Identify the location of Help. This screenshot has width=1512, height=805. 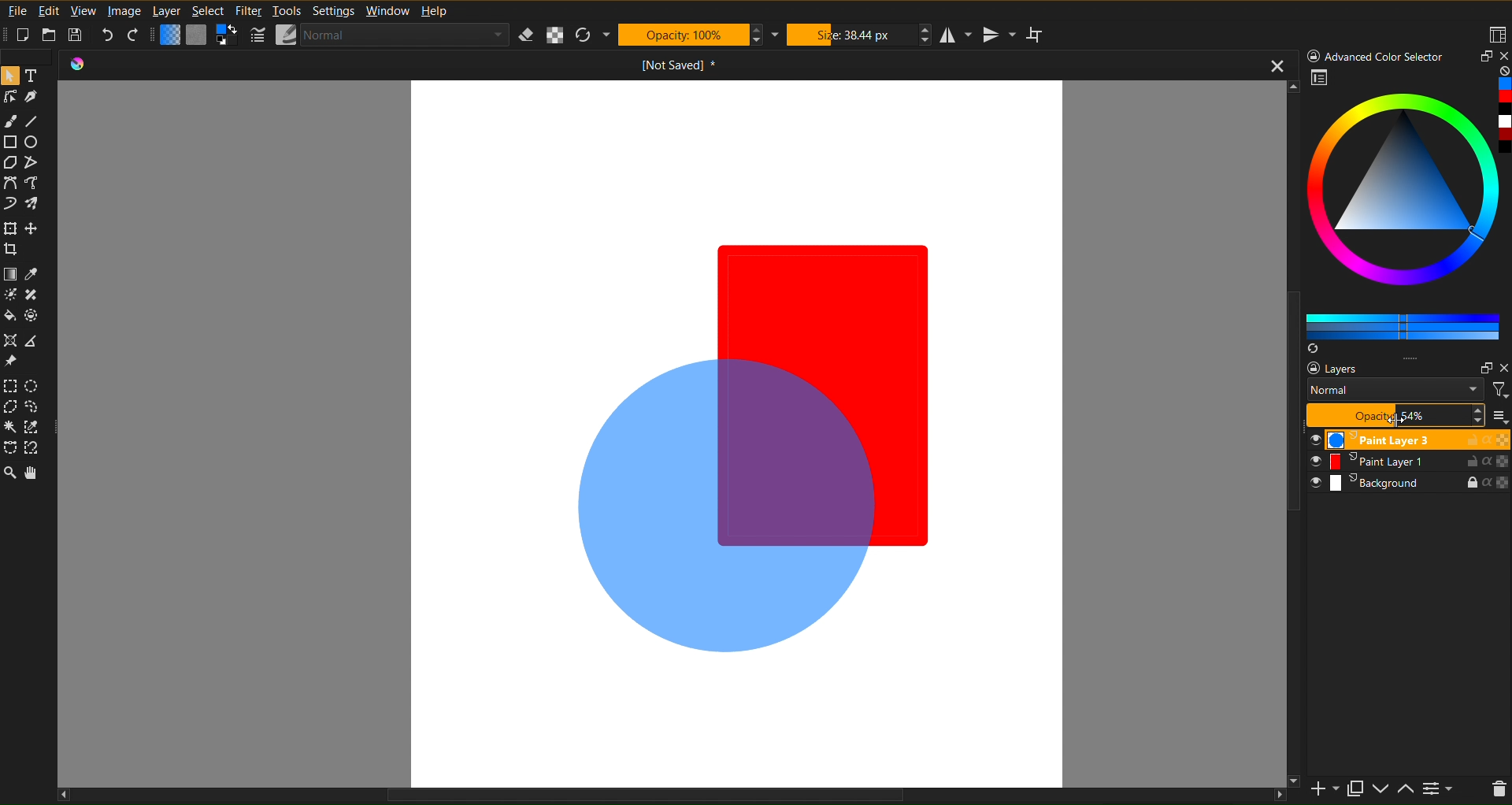
(434, 12).